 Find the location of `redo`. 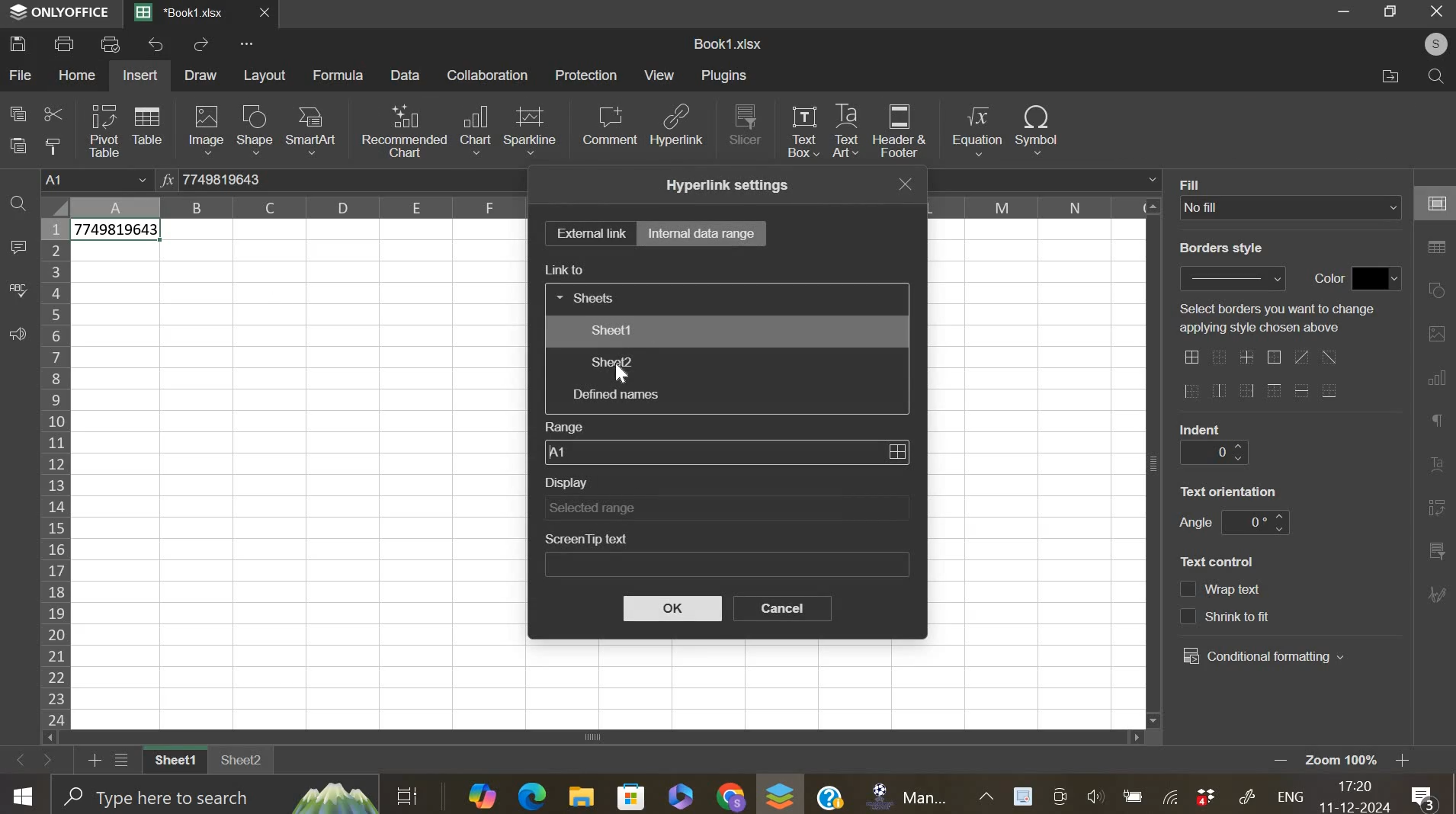

redo is located at coordinates (201, 46).